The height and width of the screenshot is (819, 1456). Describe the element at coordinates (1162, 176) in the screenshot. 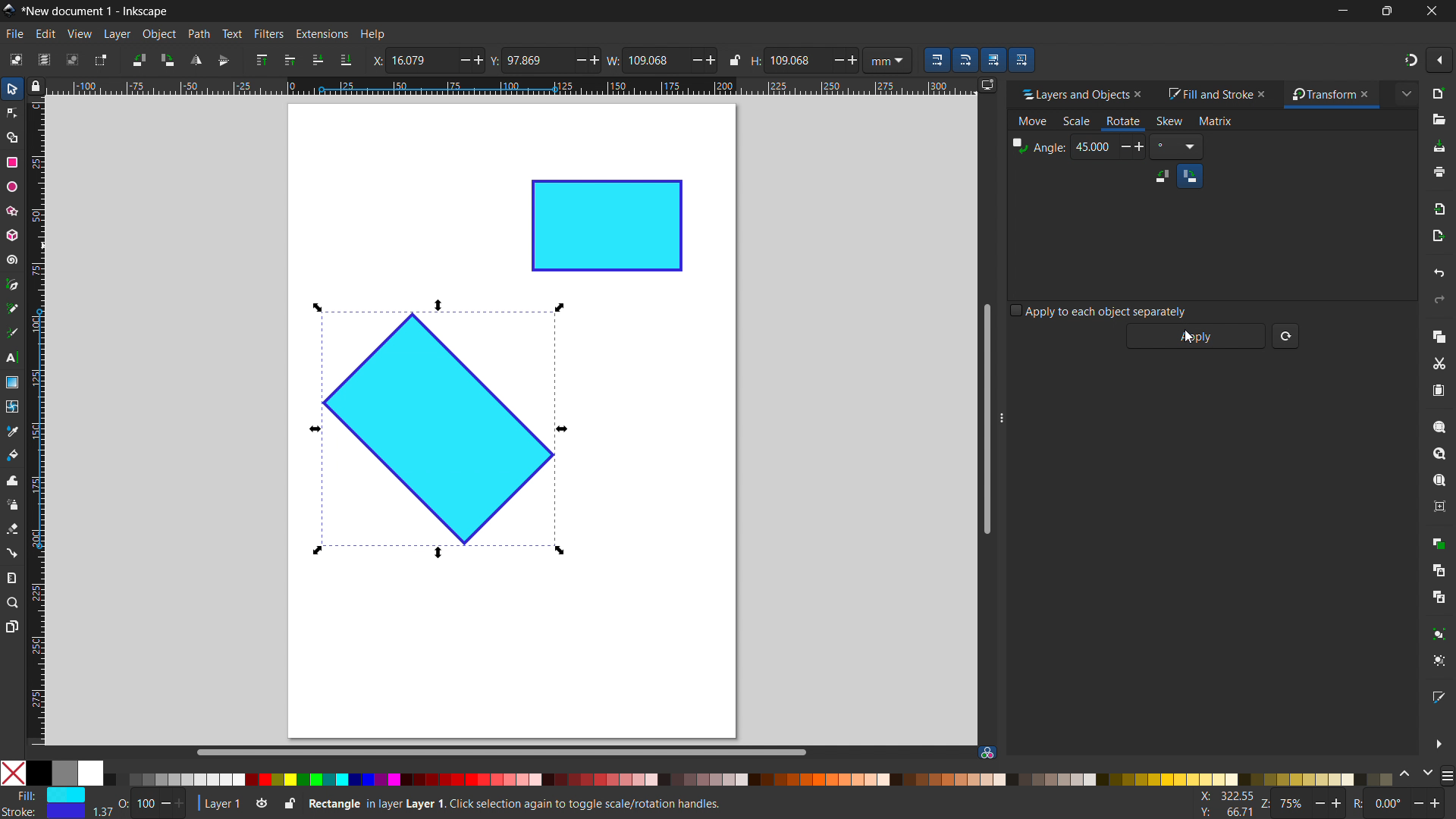

I see `counterclockwise` at that location.